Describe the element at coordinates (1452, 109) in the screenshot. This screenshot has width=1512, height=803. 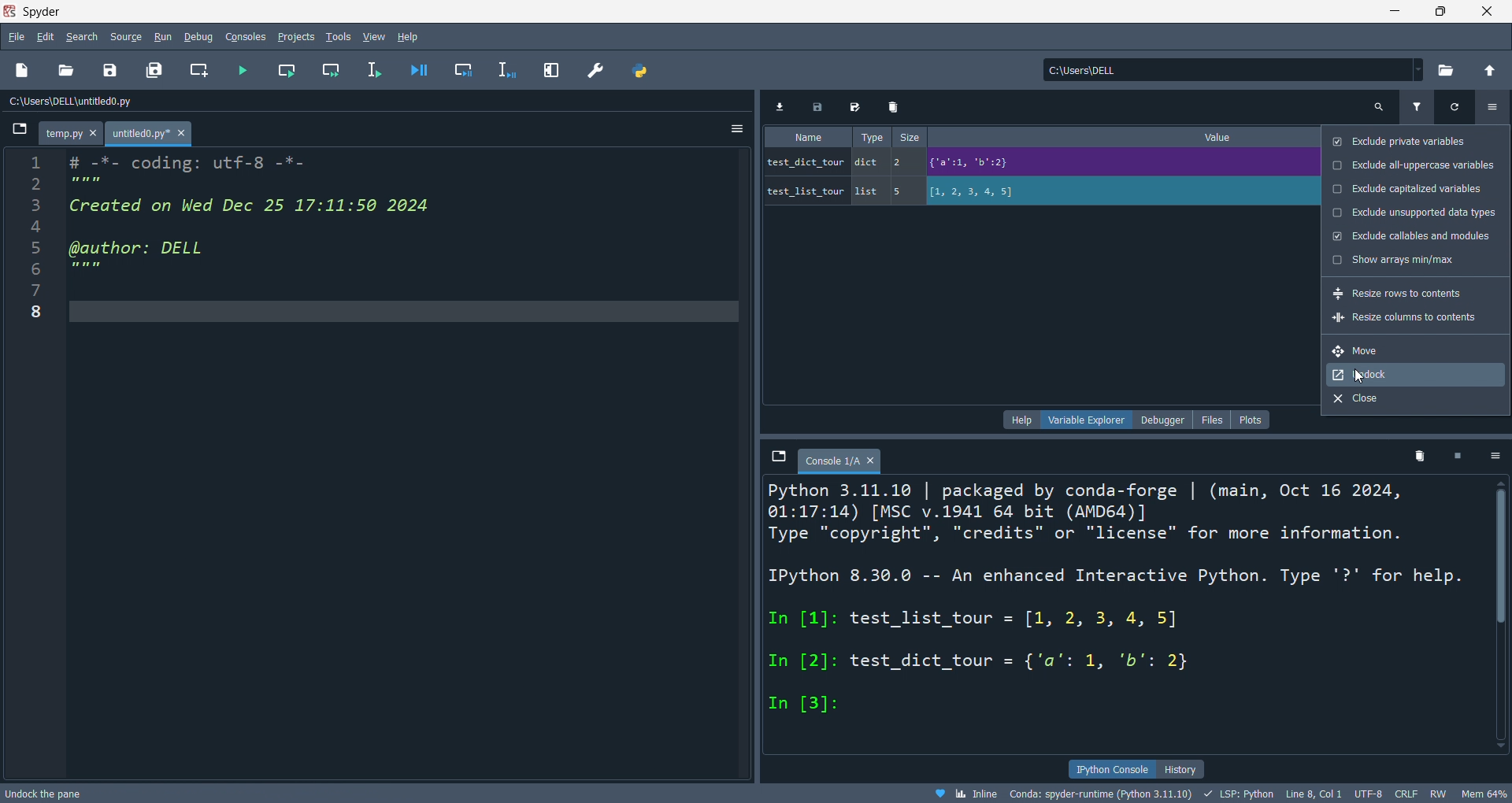
I see `refresh` at that location.